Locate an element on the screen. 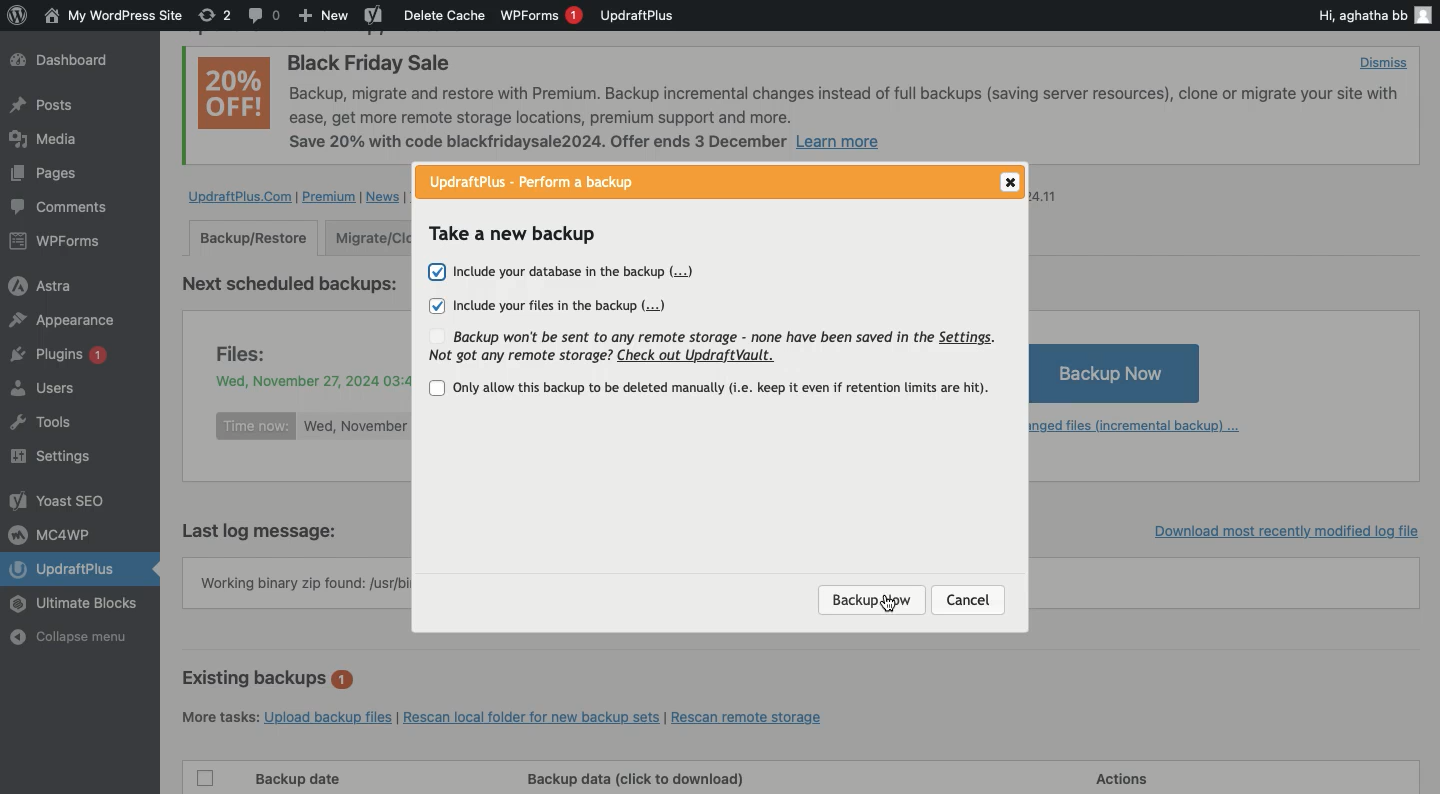 The height and width of the screenshot is (794, 1440). Delete cache is located at coordinates (445, 15).